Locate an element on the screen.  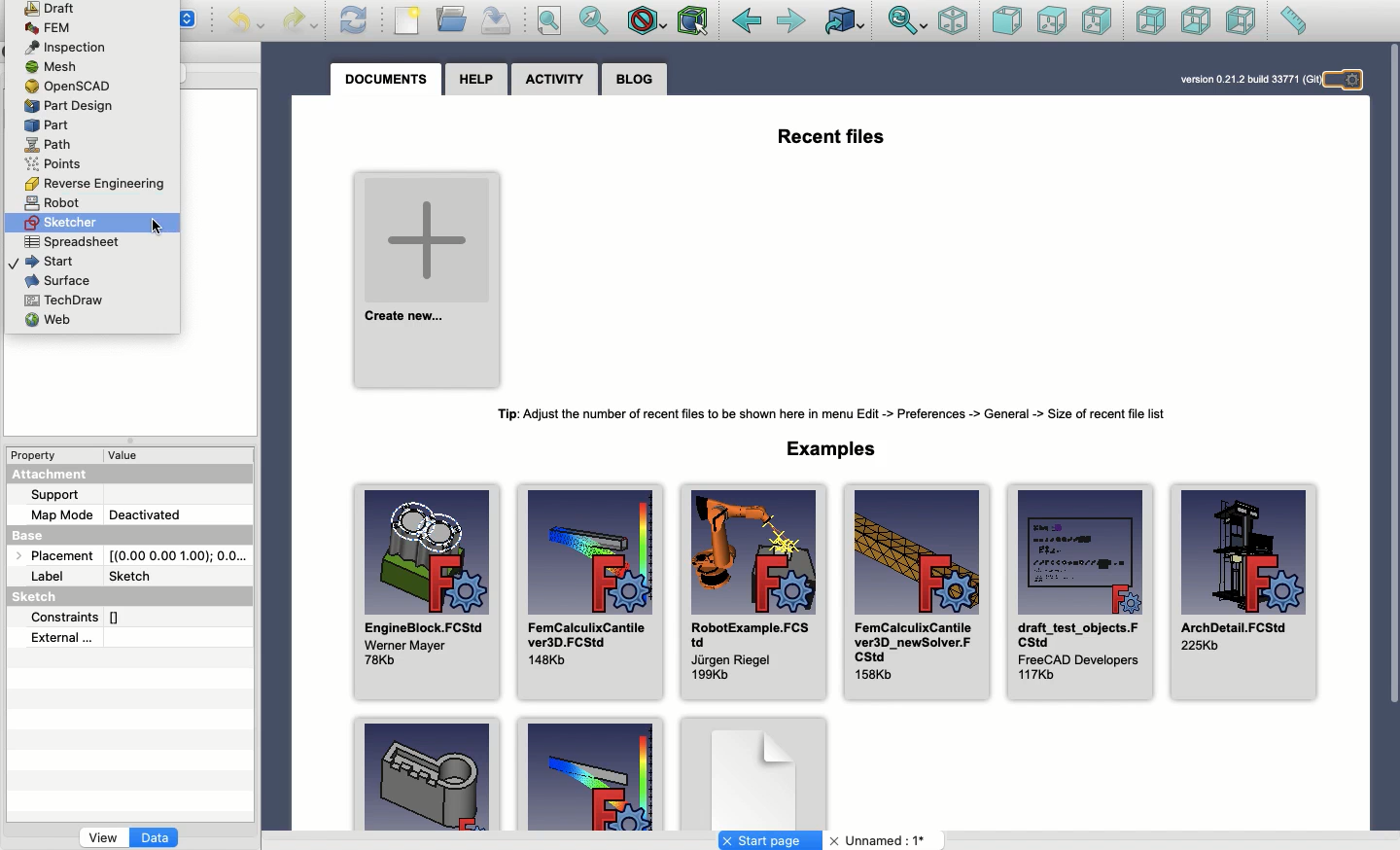
Value is located at coordinates (128, 456).